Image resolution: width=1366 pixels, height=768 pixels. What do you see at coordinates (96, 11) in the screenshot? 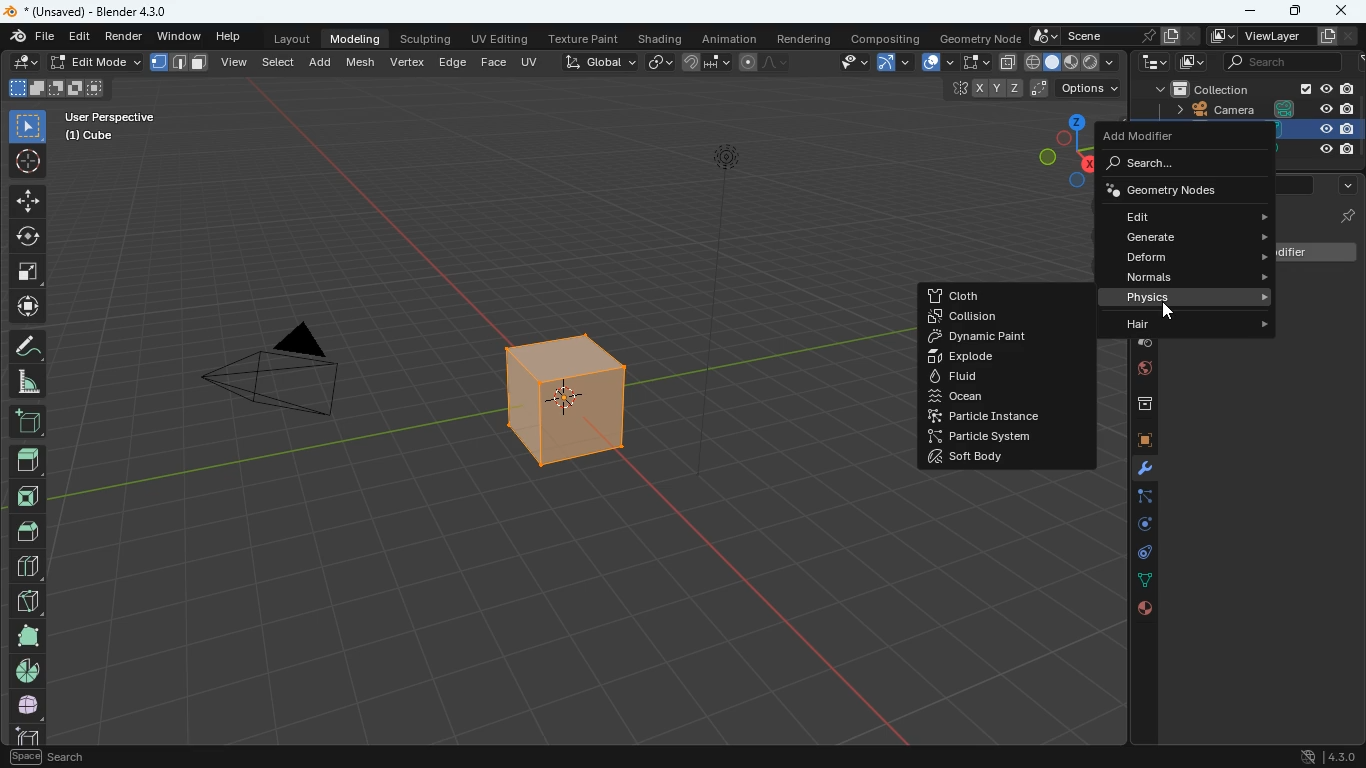
I see `blender` at bounding box center [96, 11].